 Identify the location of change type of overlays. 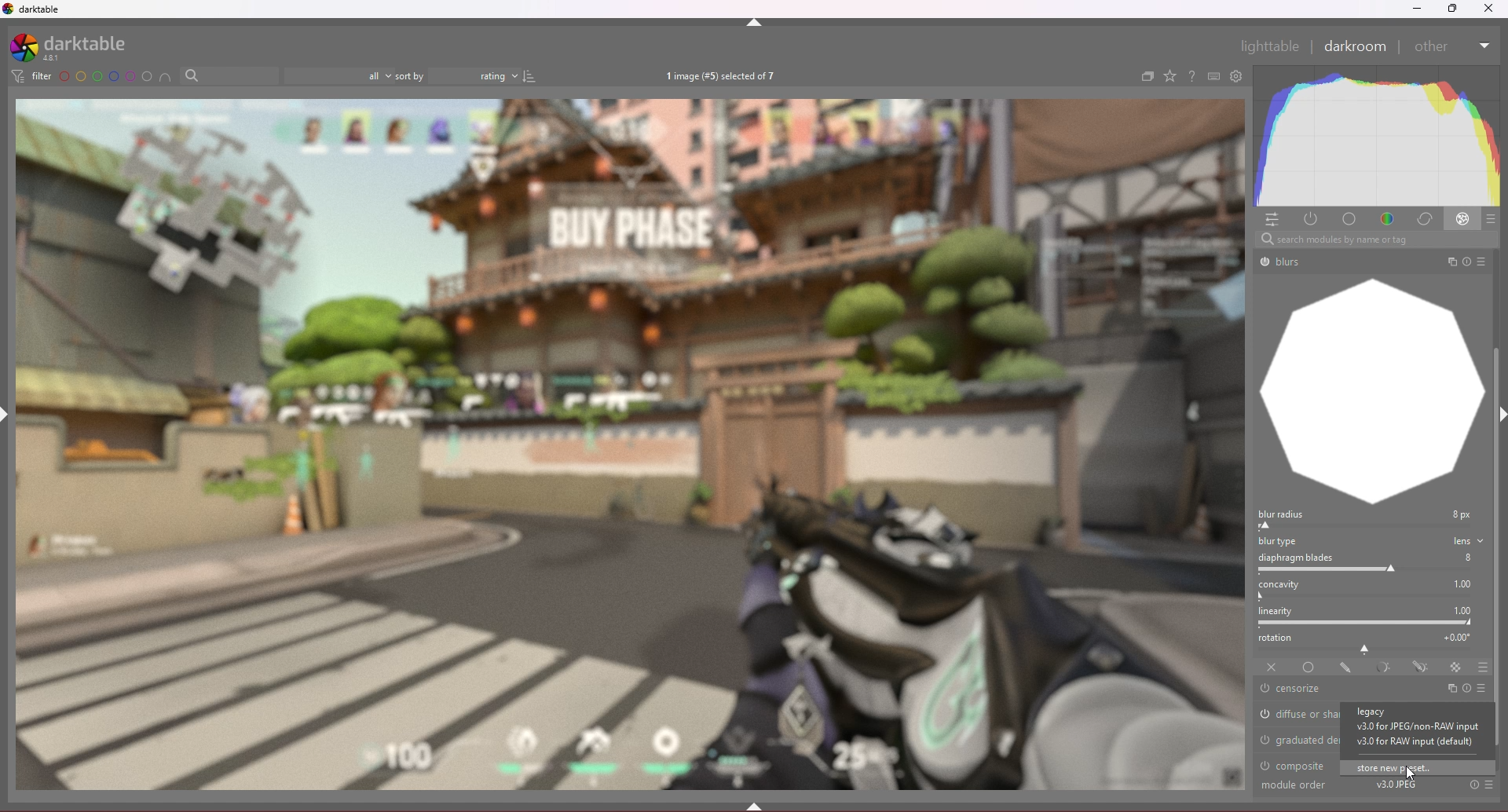
(1171, 75).